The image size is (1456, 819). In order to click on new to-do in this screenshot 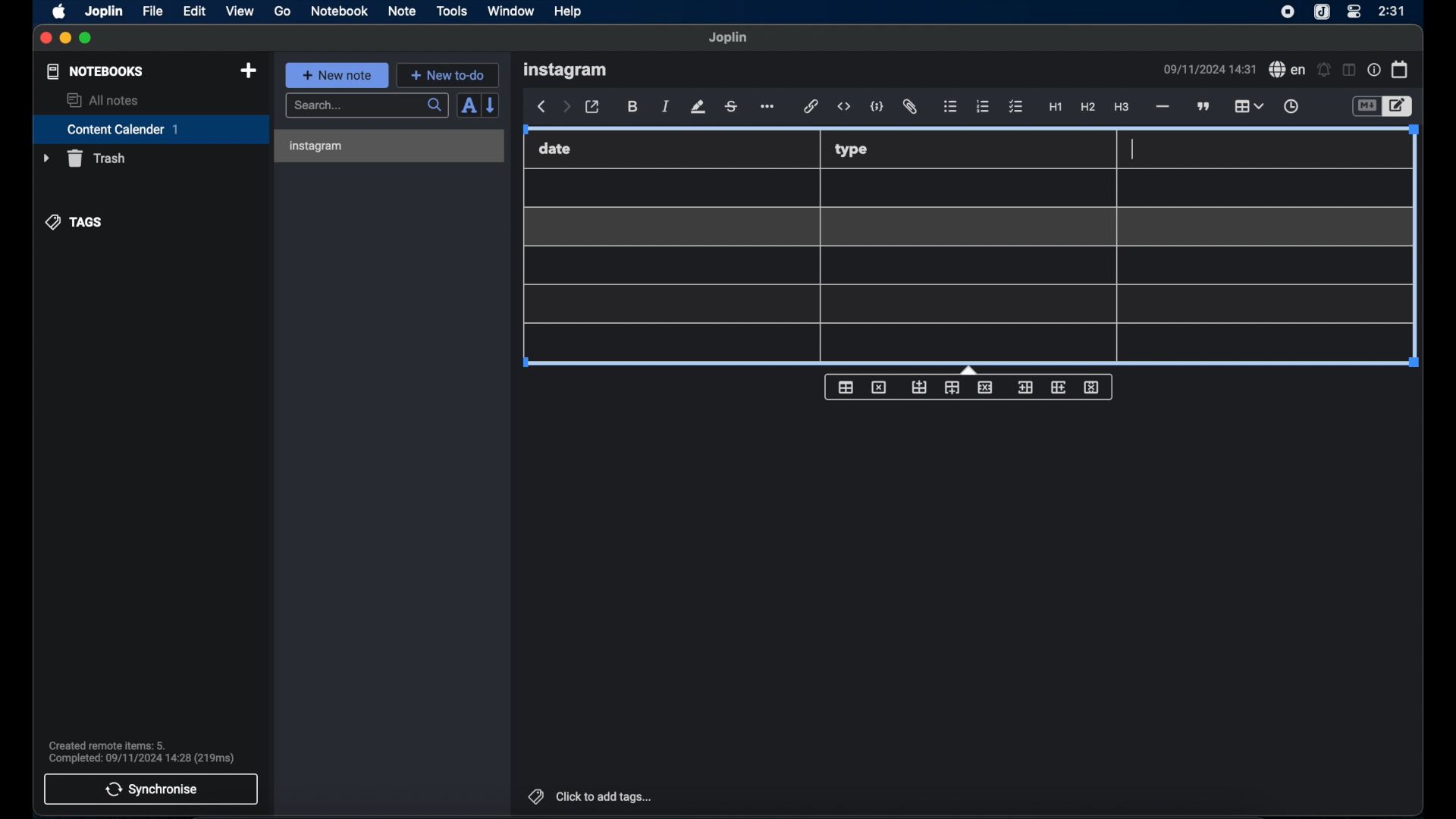, I will do `click(447, 75)`.